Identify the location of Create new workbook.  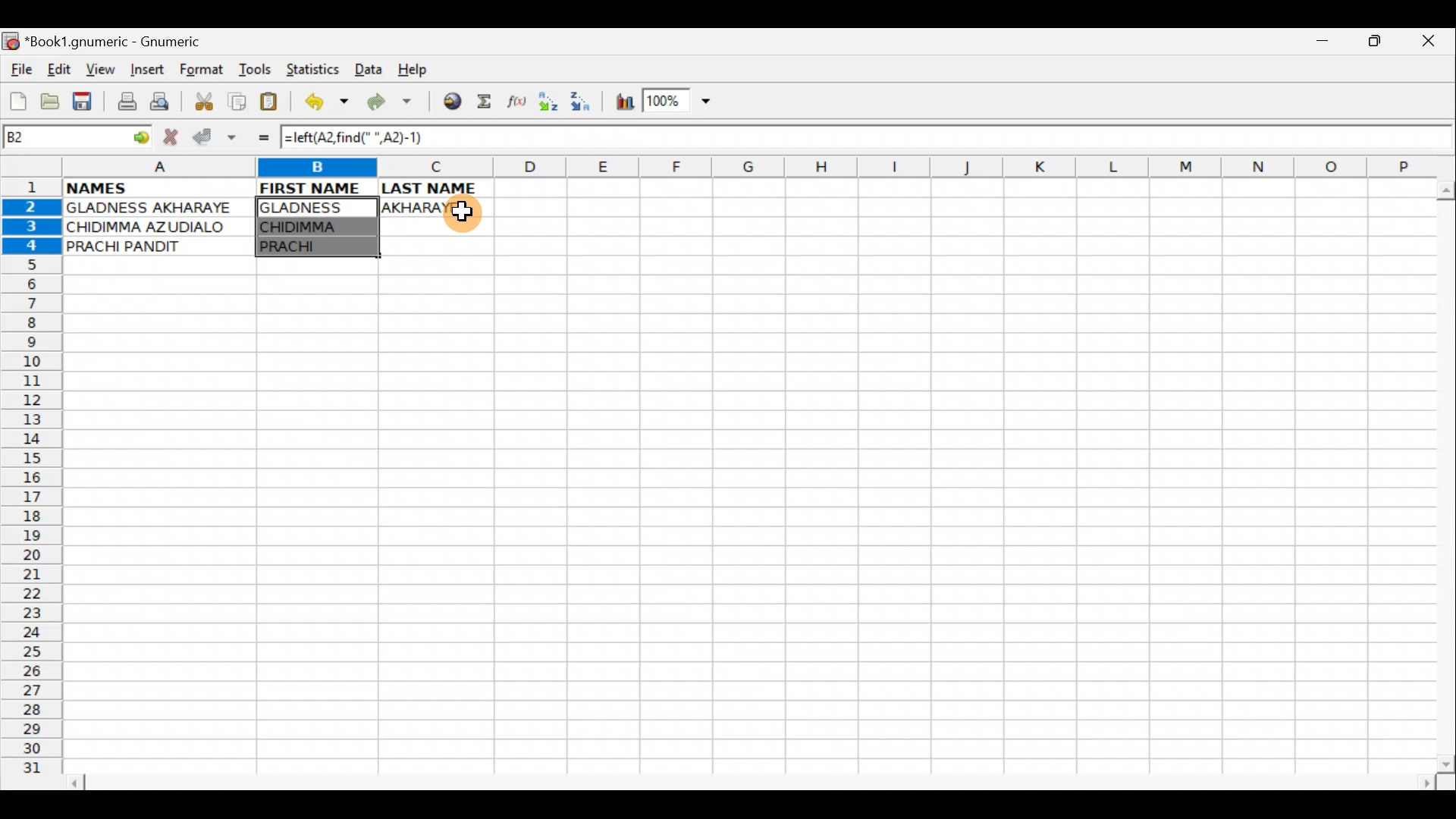
(17, 99).